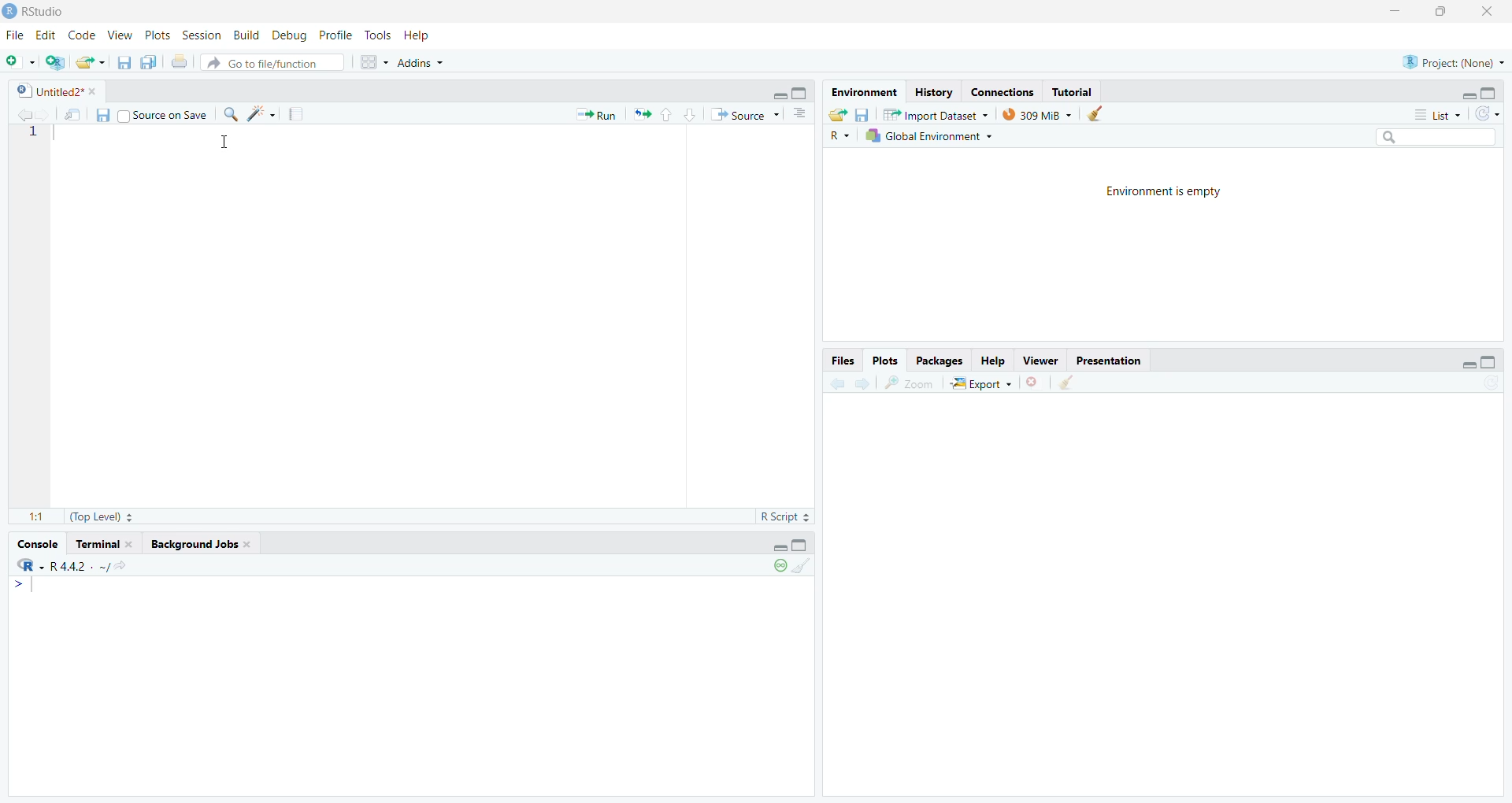  What do you see at coordinates (1098, 115) in the screenshot?
I see `clear` at bounding box center [1098, 115].